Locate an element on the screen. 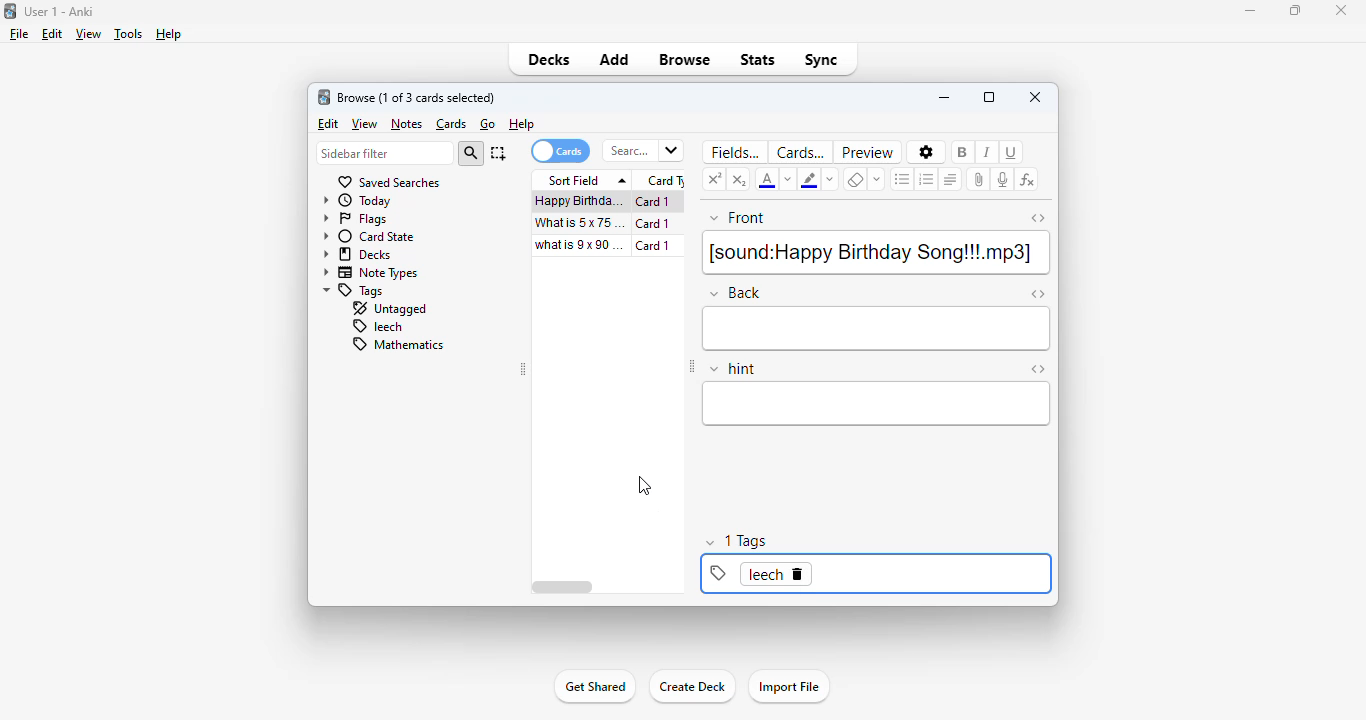 The width and height of the screenshot is (1366, 720). minimize is located at coordinates (1252, 11).